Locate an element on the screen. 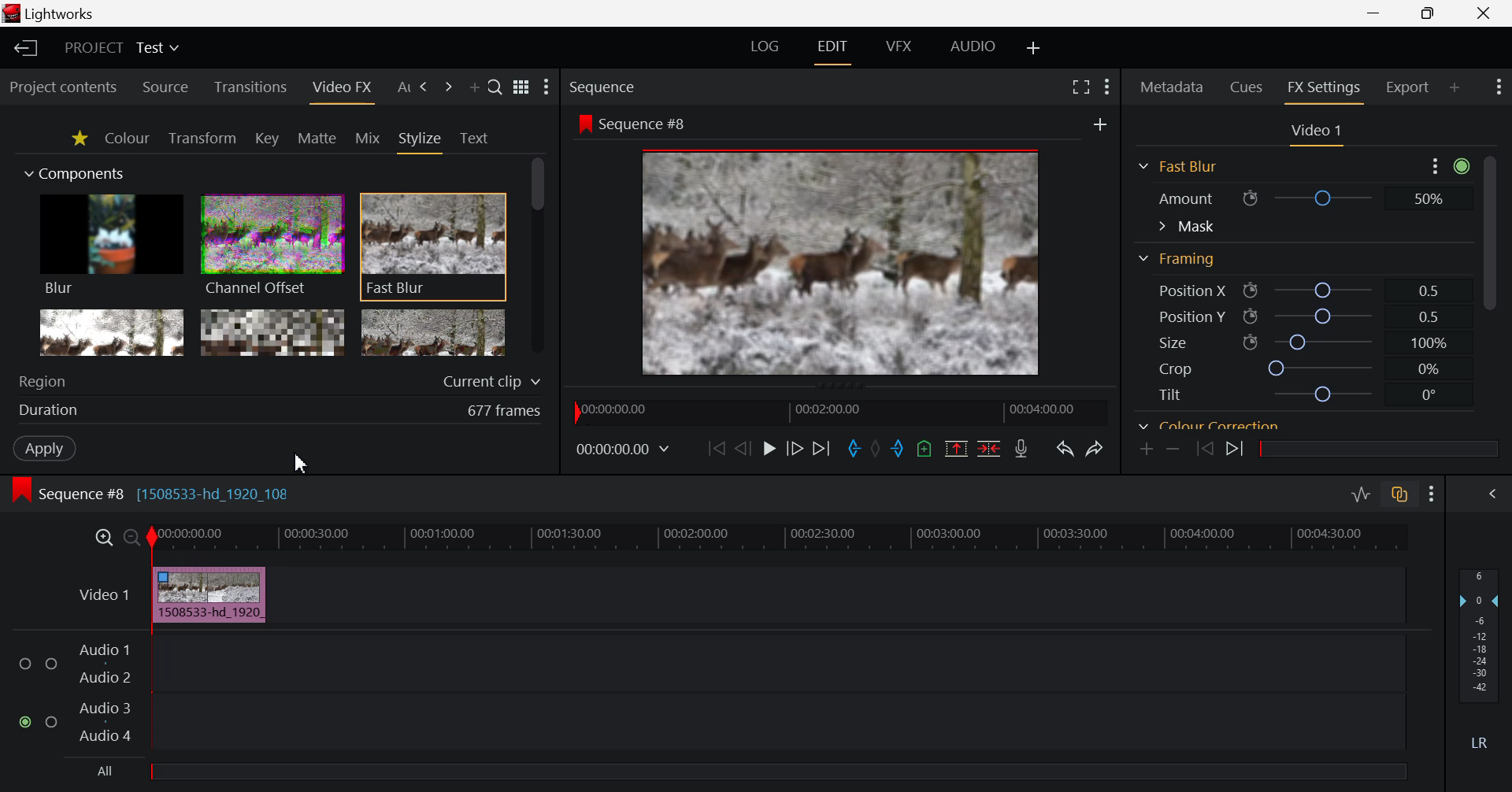 The height and width of the screenshot is (792, 1512). Mattle is located at coordinates (317, 137).